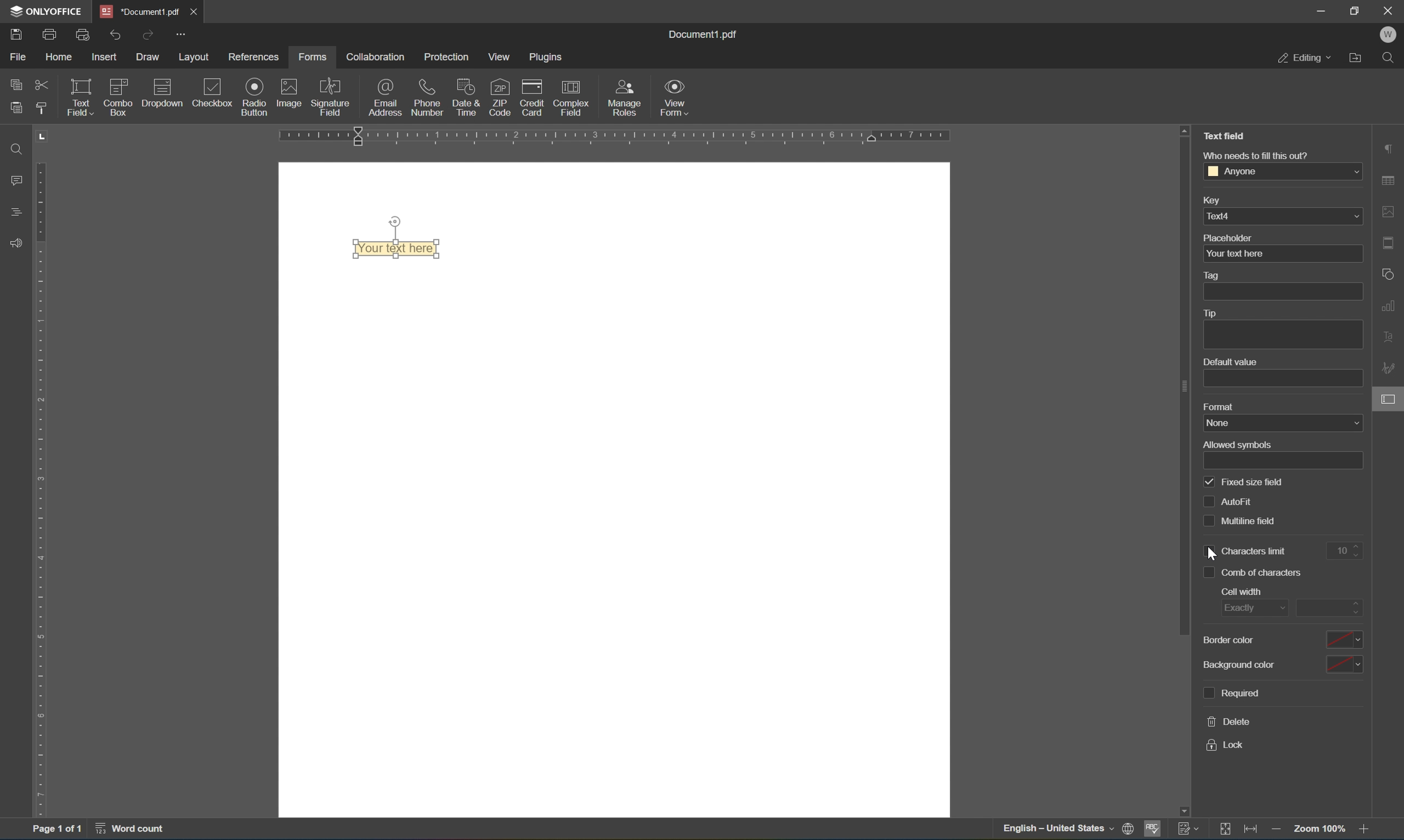  I want to click on key, so click(1215, 200).